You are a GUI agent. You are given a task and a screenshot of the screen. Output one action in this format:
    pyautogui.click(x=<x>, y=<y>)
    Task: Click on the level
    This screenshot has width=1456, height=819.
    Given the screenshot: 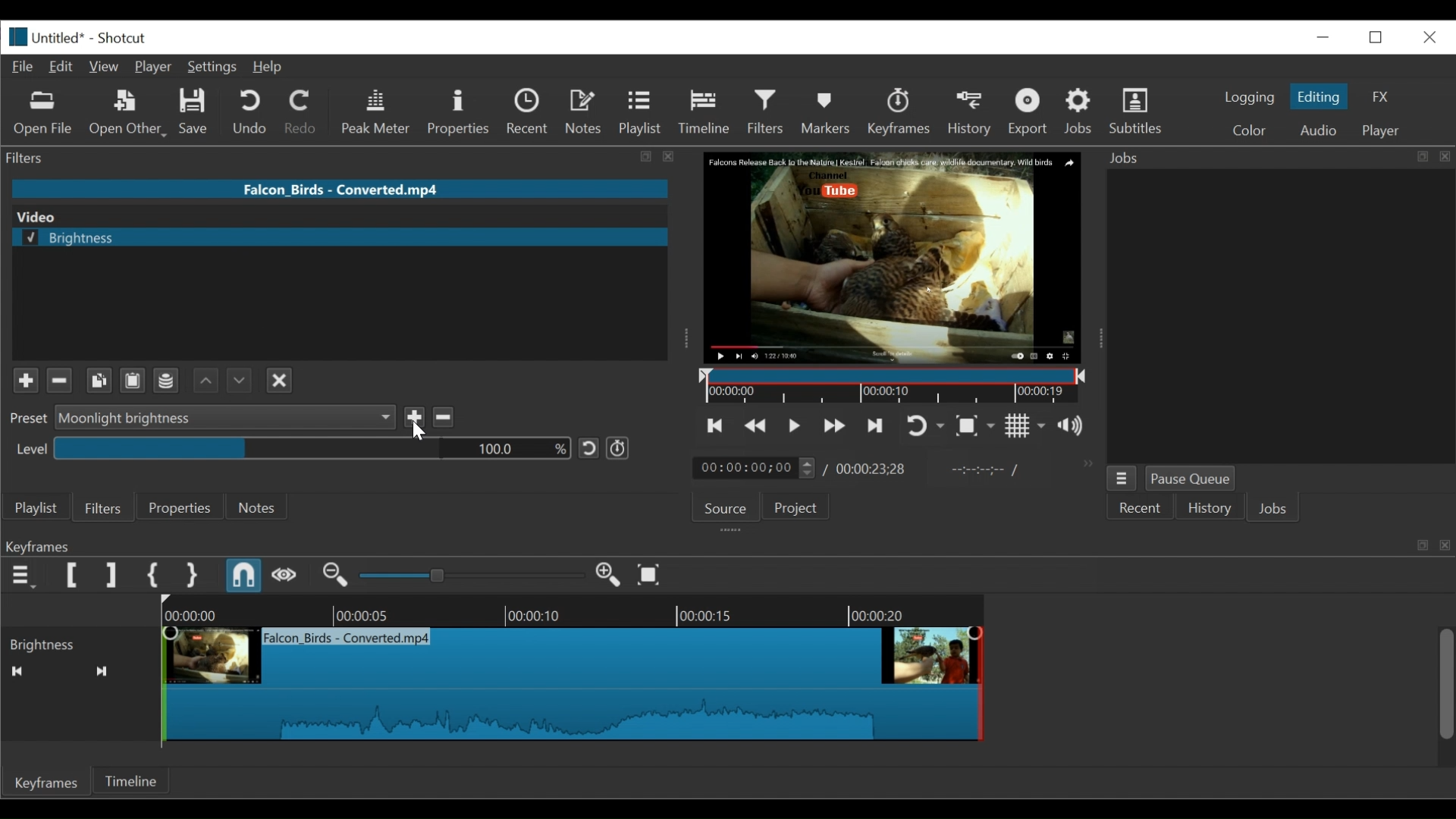 What is the action you would take?
    pyautogui.click(x=300, y=451)
    